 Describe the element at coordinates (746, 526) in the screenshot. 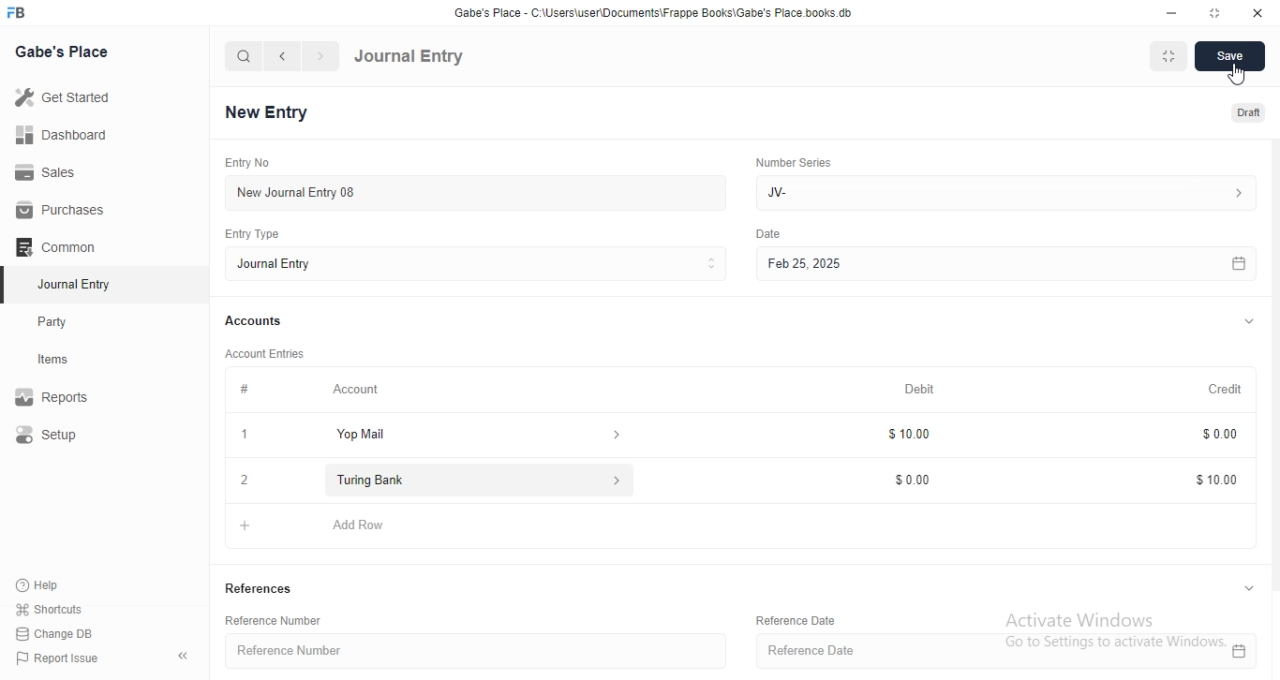

I see `+ Add Row` at that location.